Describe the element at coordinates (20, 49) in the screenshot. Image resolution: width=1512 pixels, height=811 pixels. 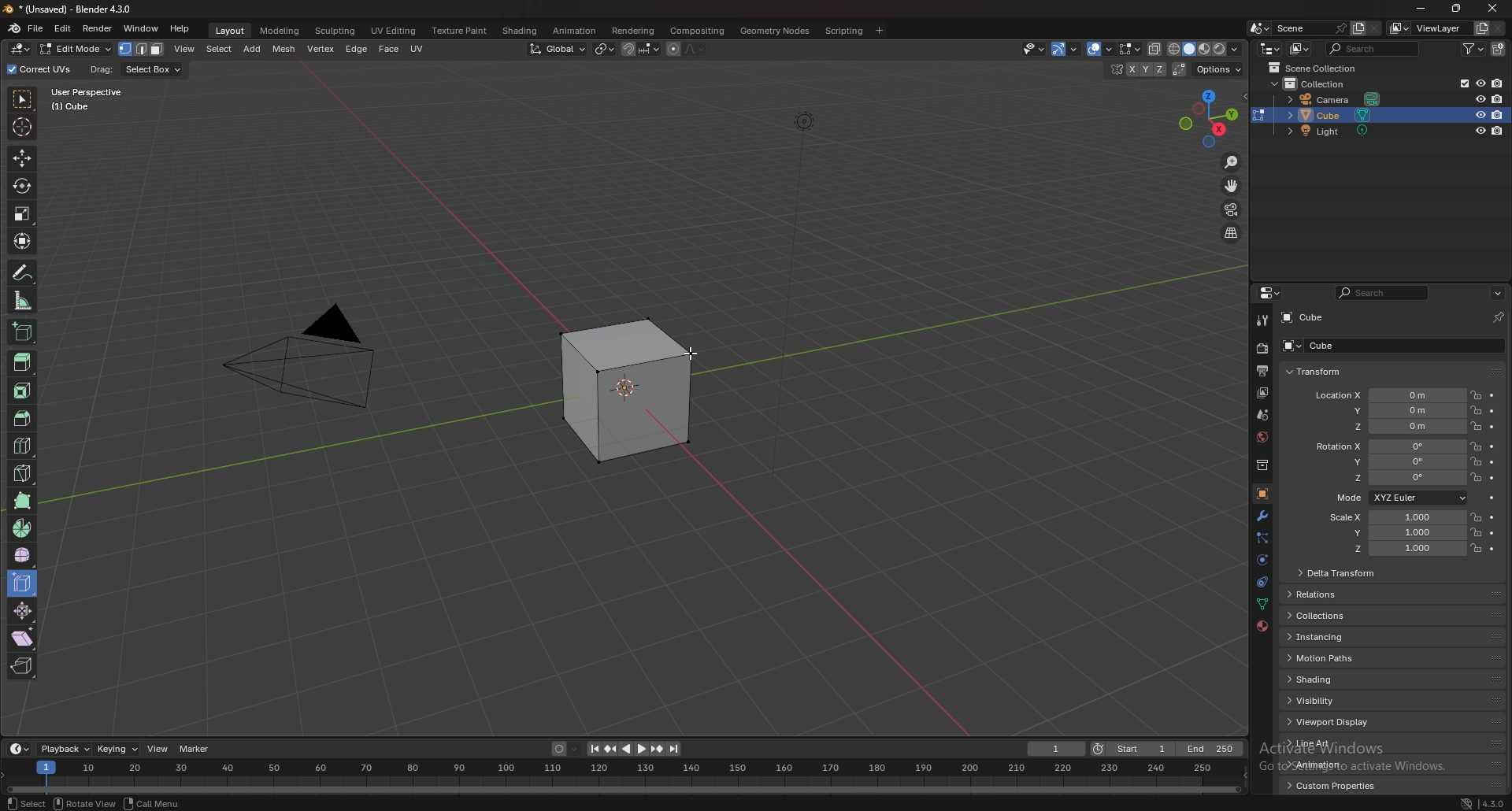
I see `editor type` at that location.